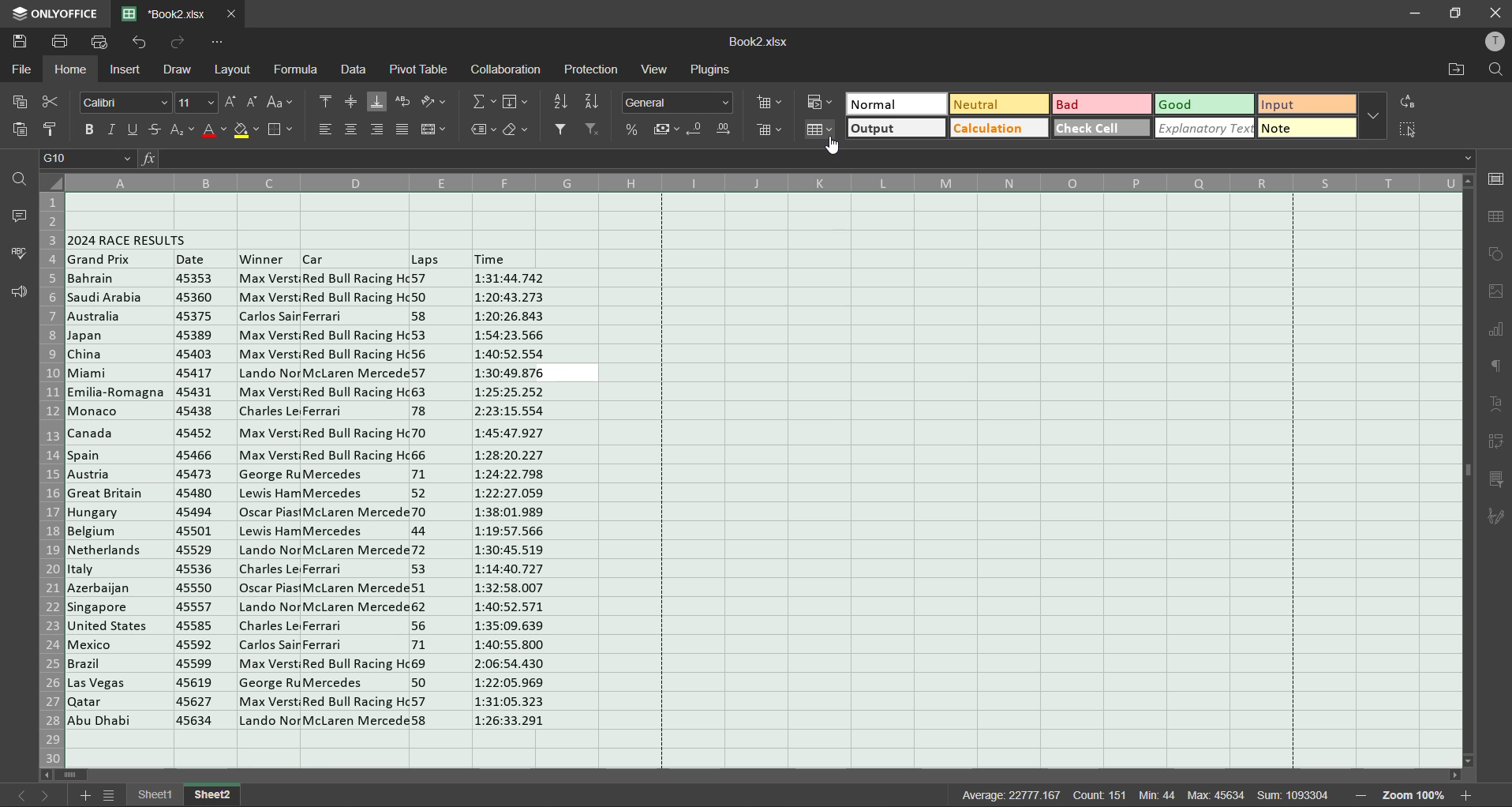 This screenshot has width=1512, height=807. I want to click on fields, so click(515, 103).